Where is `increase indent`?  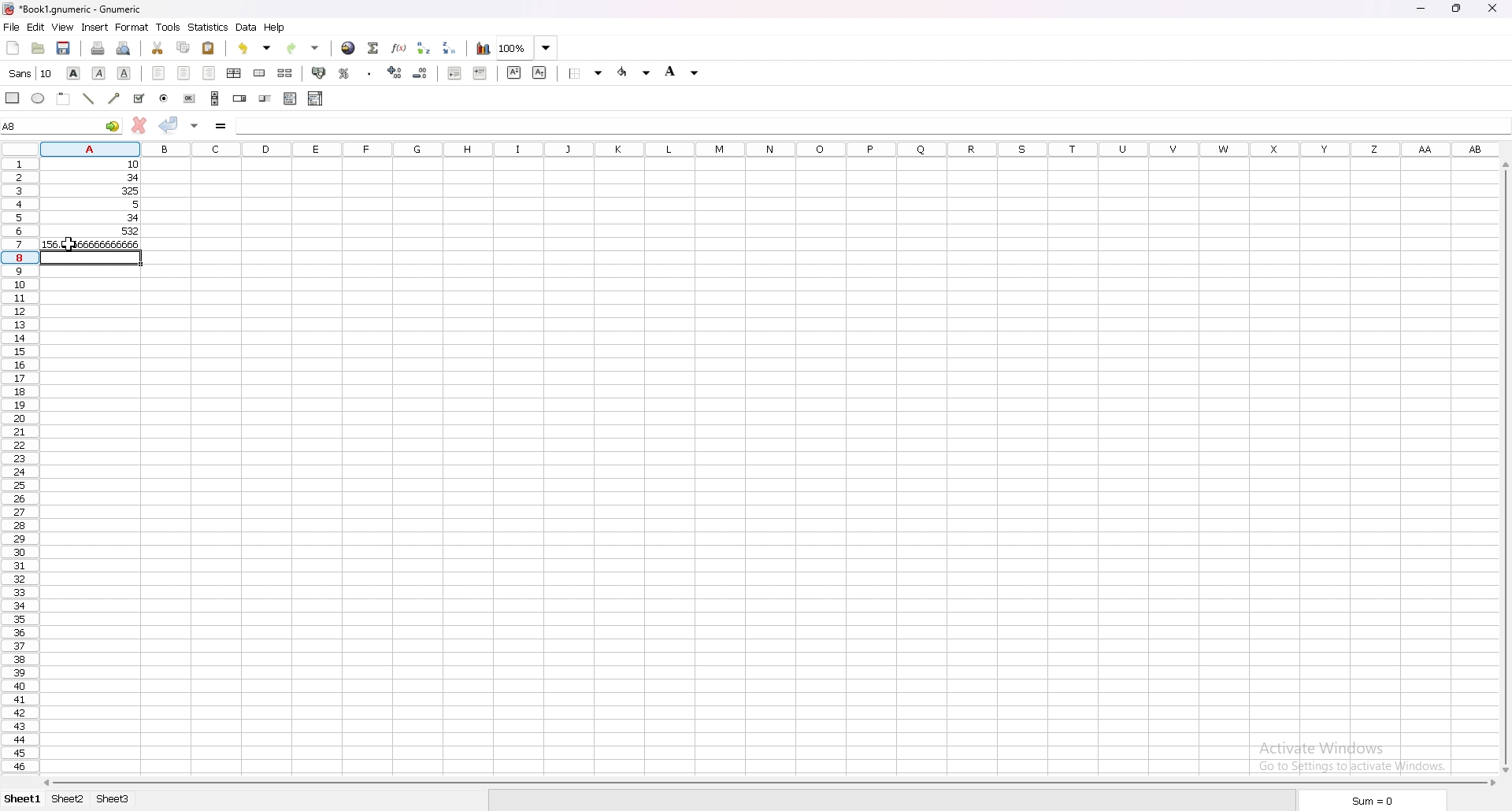
increase indent is located at coordinates (479, 72).